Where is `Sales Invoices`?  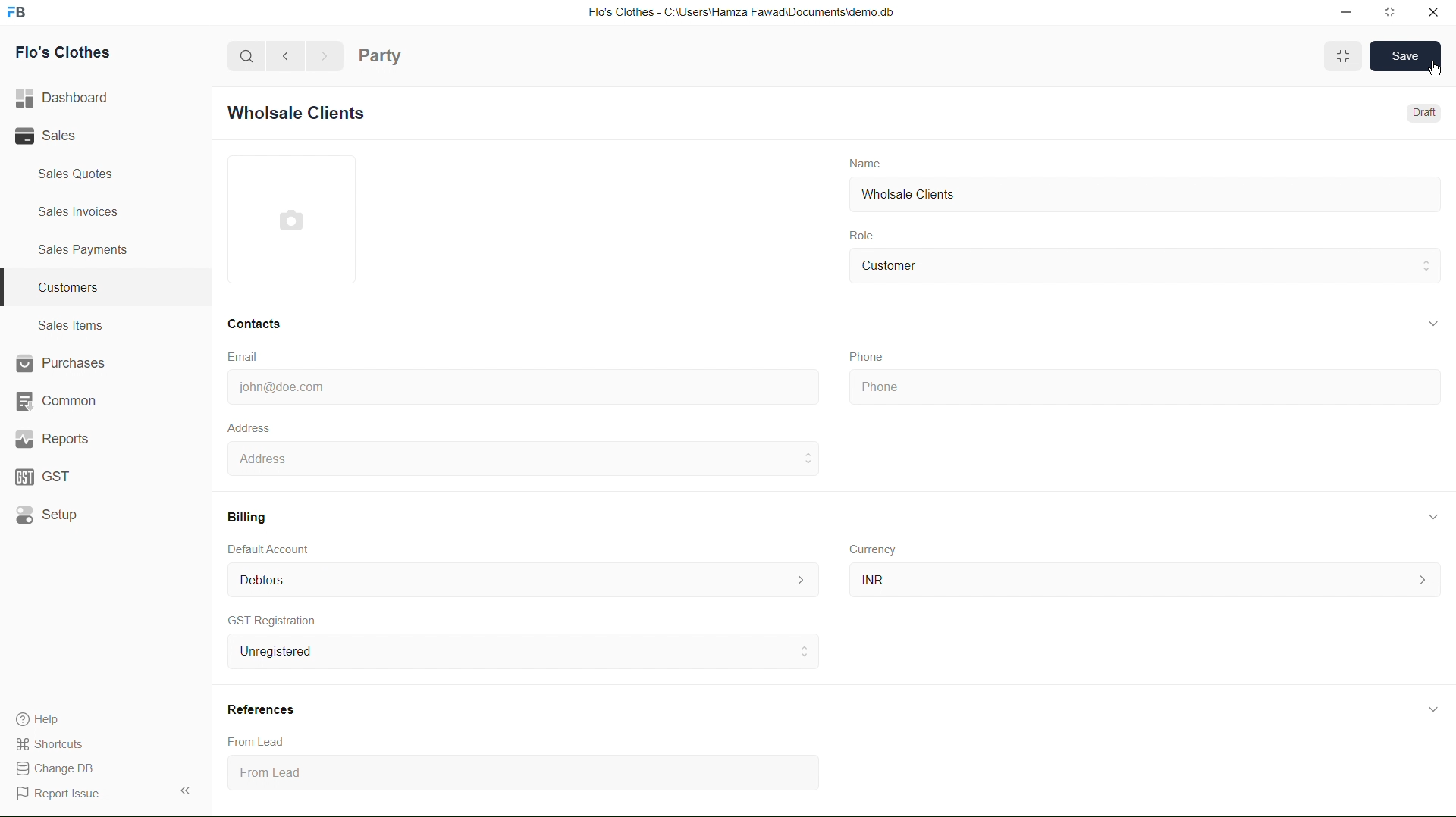 Sales Invoices is located at coordinates (83, 211).